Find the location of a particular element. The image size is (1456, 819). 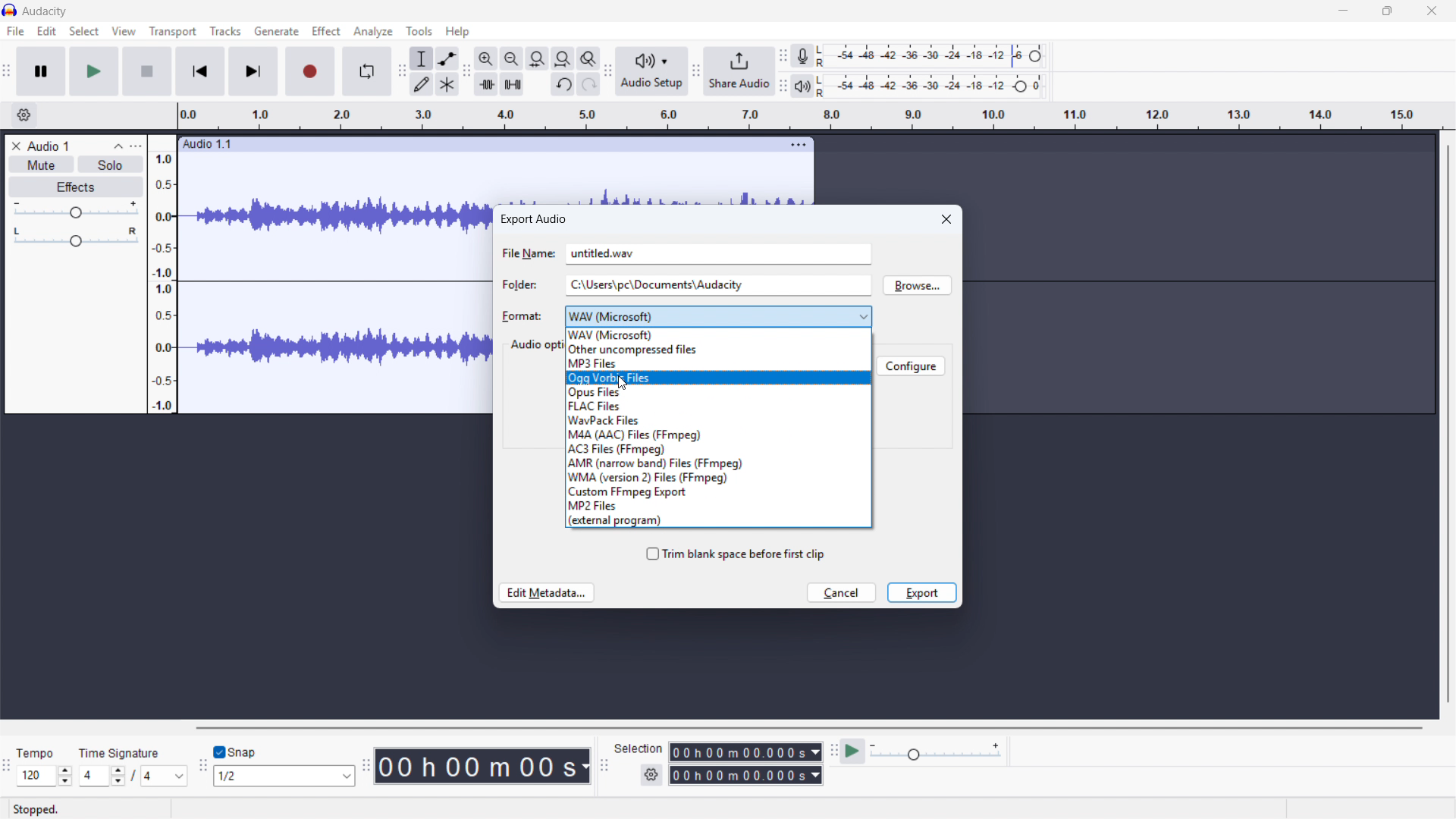

tempo is located at coordinates (39, 753).